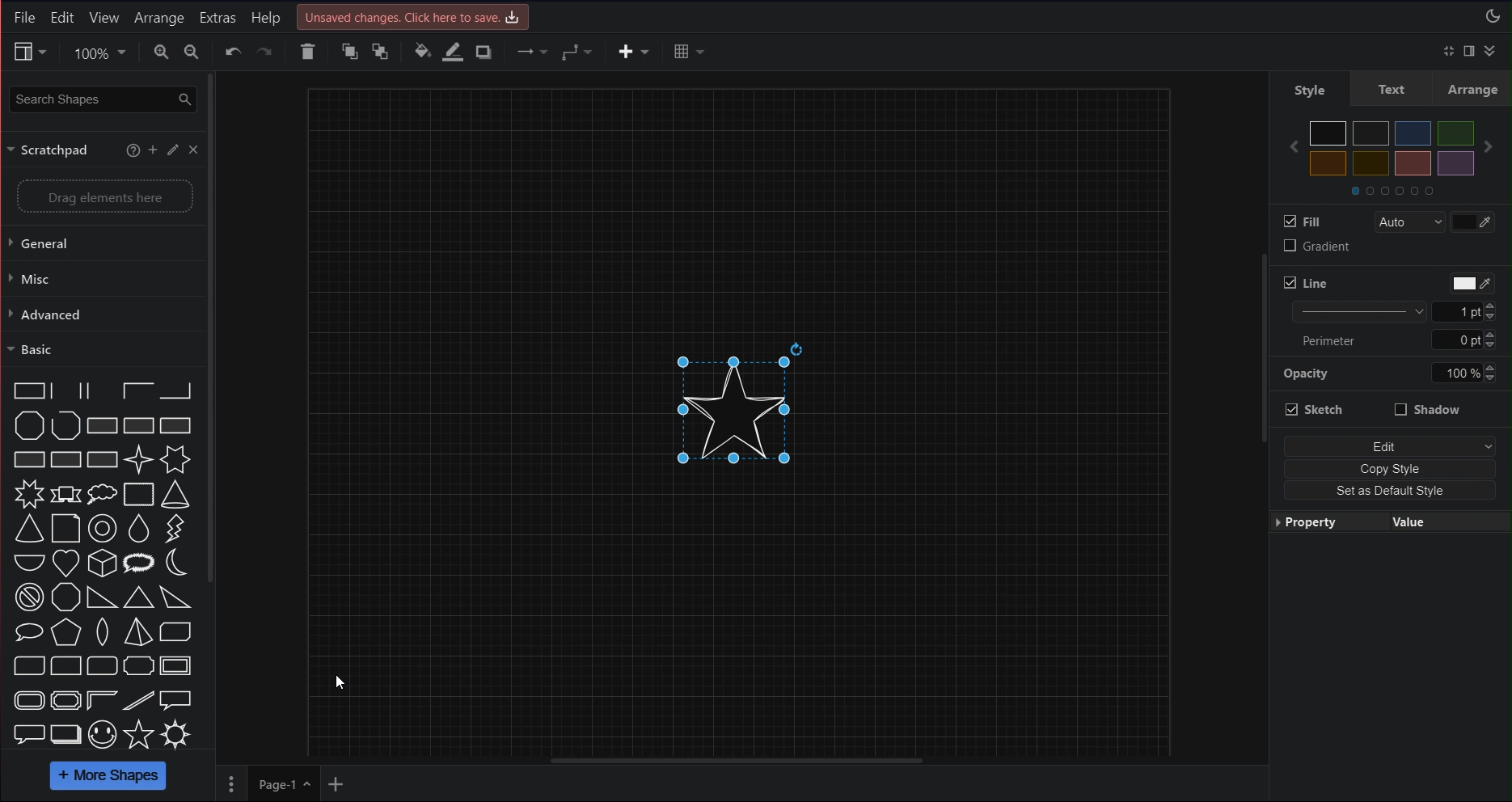 This screenshot has height=802, width=1512. What do you see at coordinates (139, 700) in the screenshot?
I see `diagonal stripe` at bounding box center [139, 700].